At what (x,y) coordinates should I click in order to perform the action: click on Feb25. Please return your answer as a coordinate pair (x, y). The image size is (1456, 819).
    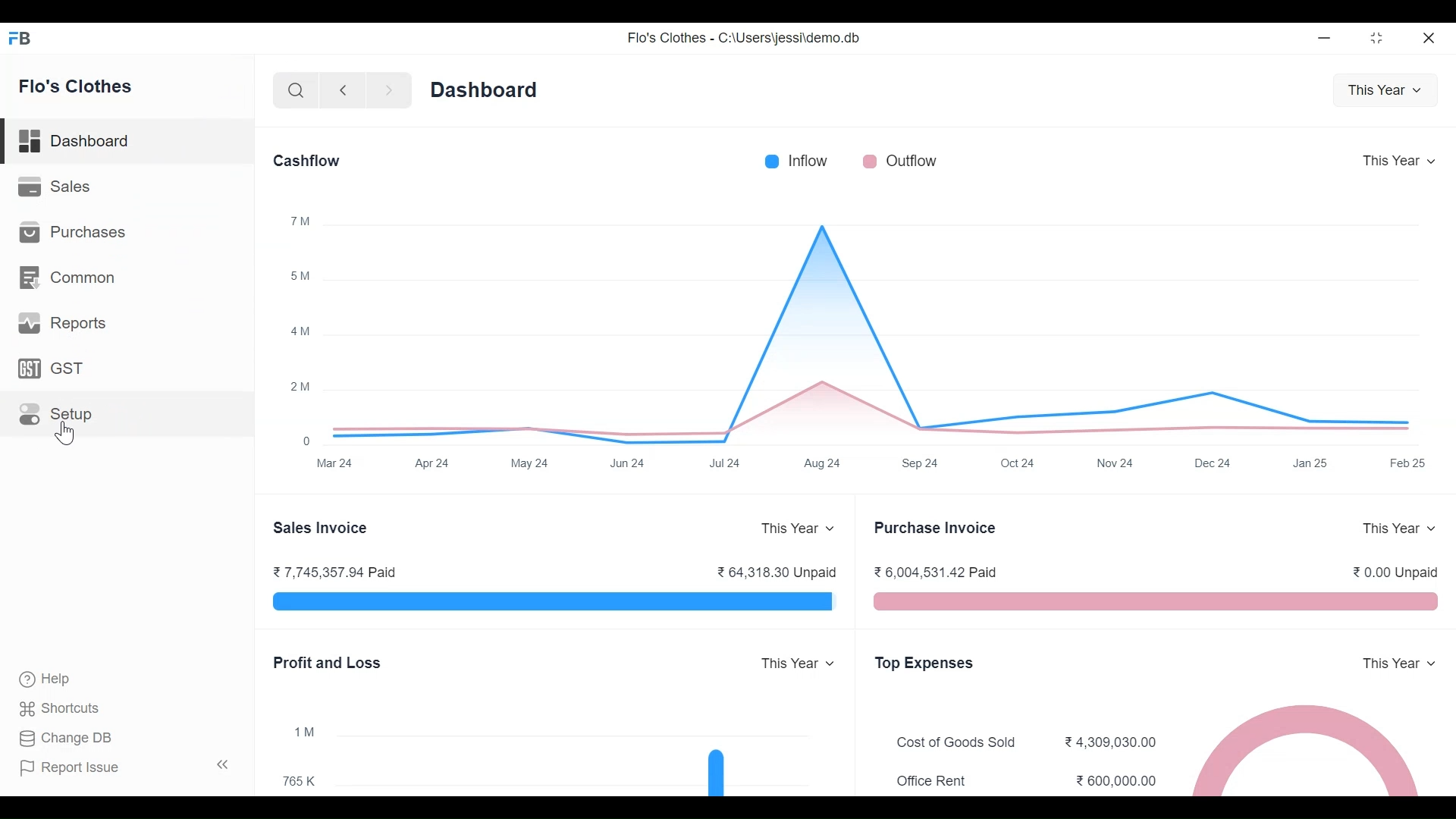
    Looking at the image, I should click on (1407, 463).